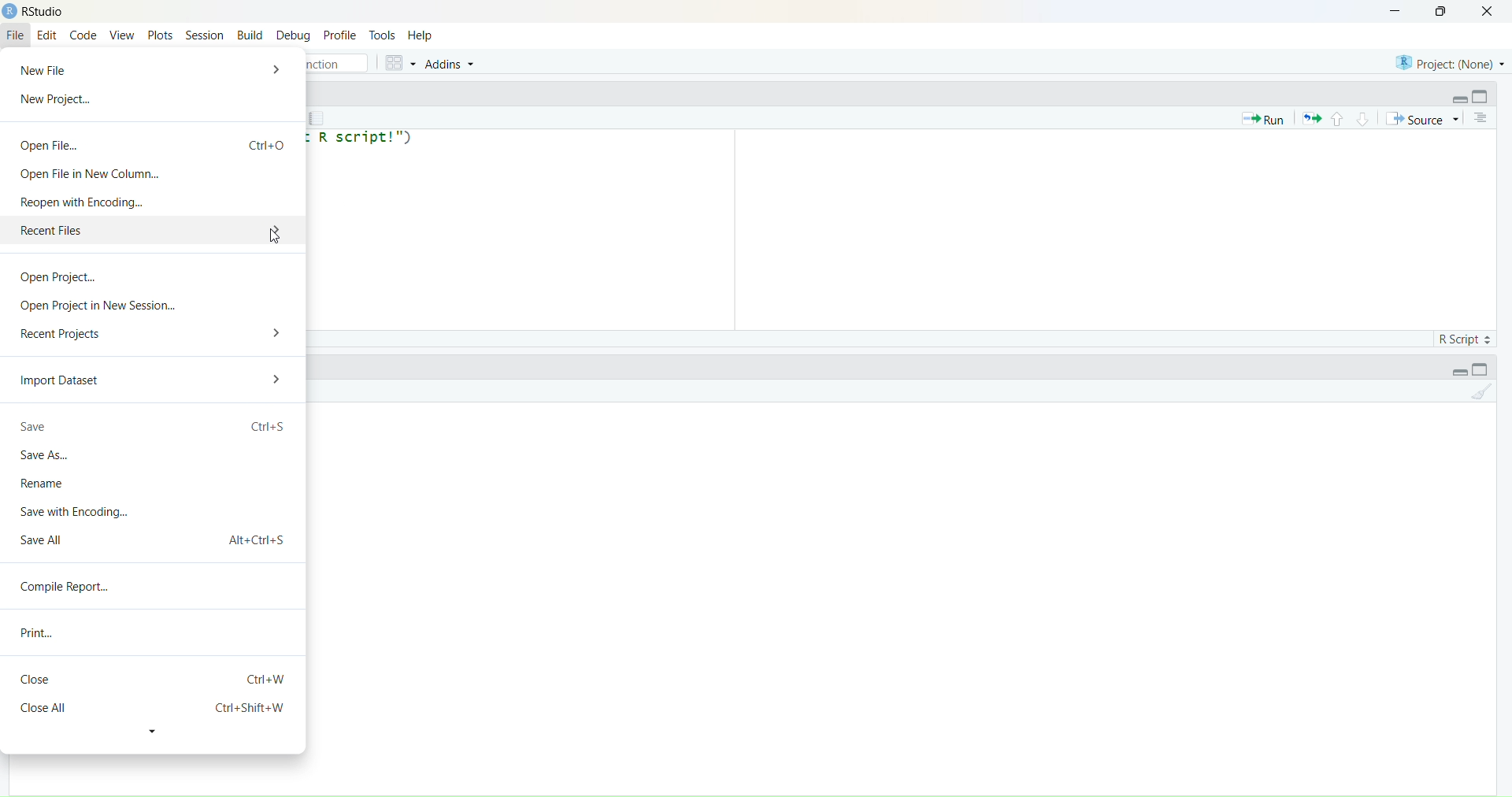  Describe the element at coordinates (71, 588) in the screenshot. I see `Compile Report..` at that location.